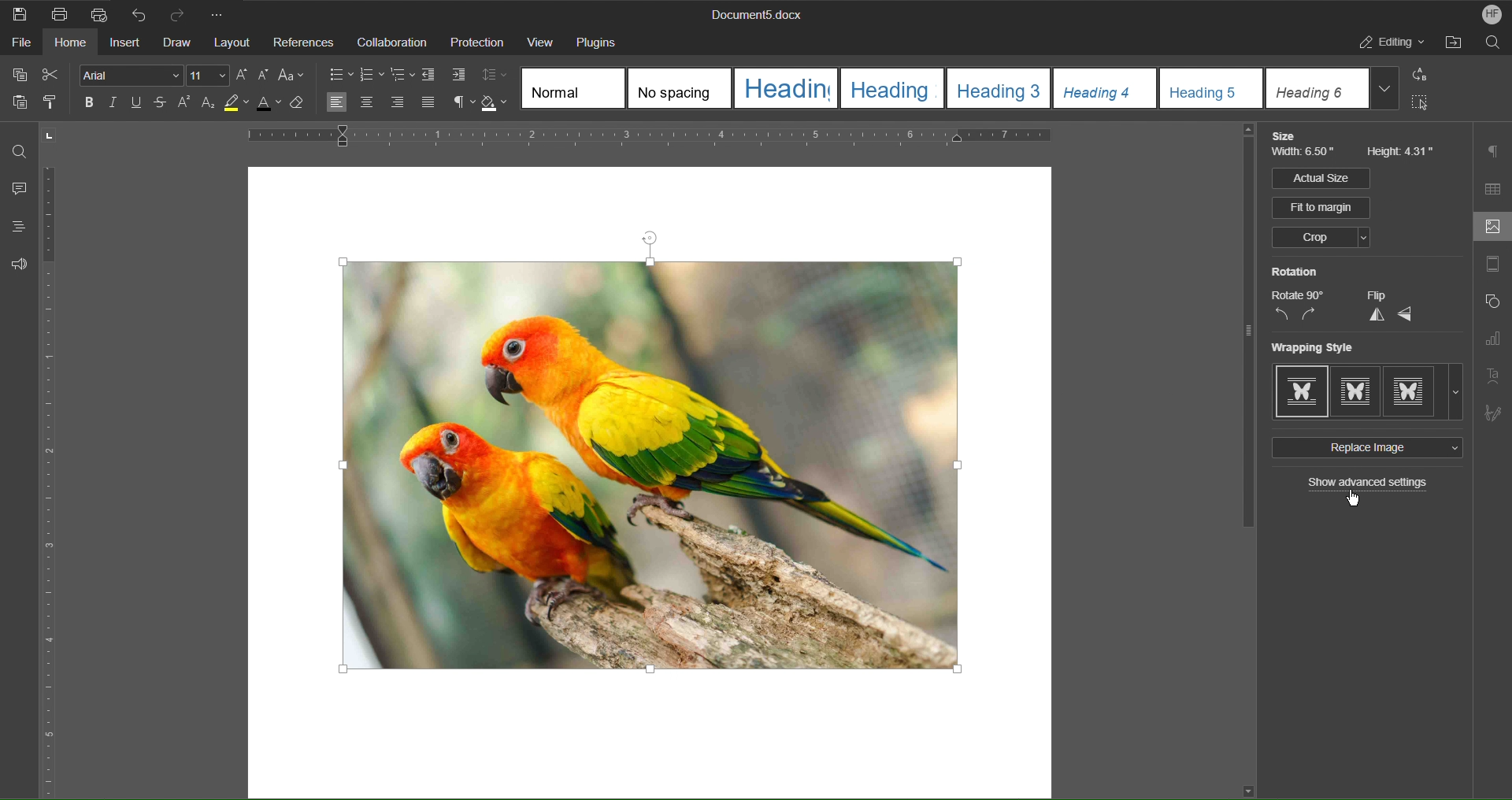 The width and height of the screenshot is (1512, 800). What do you see at coordinates (372, 74) in the screenshot?
I see `Lists` at bounding box center [372, 74].